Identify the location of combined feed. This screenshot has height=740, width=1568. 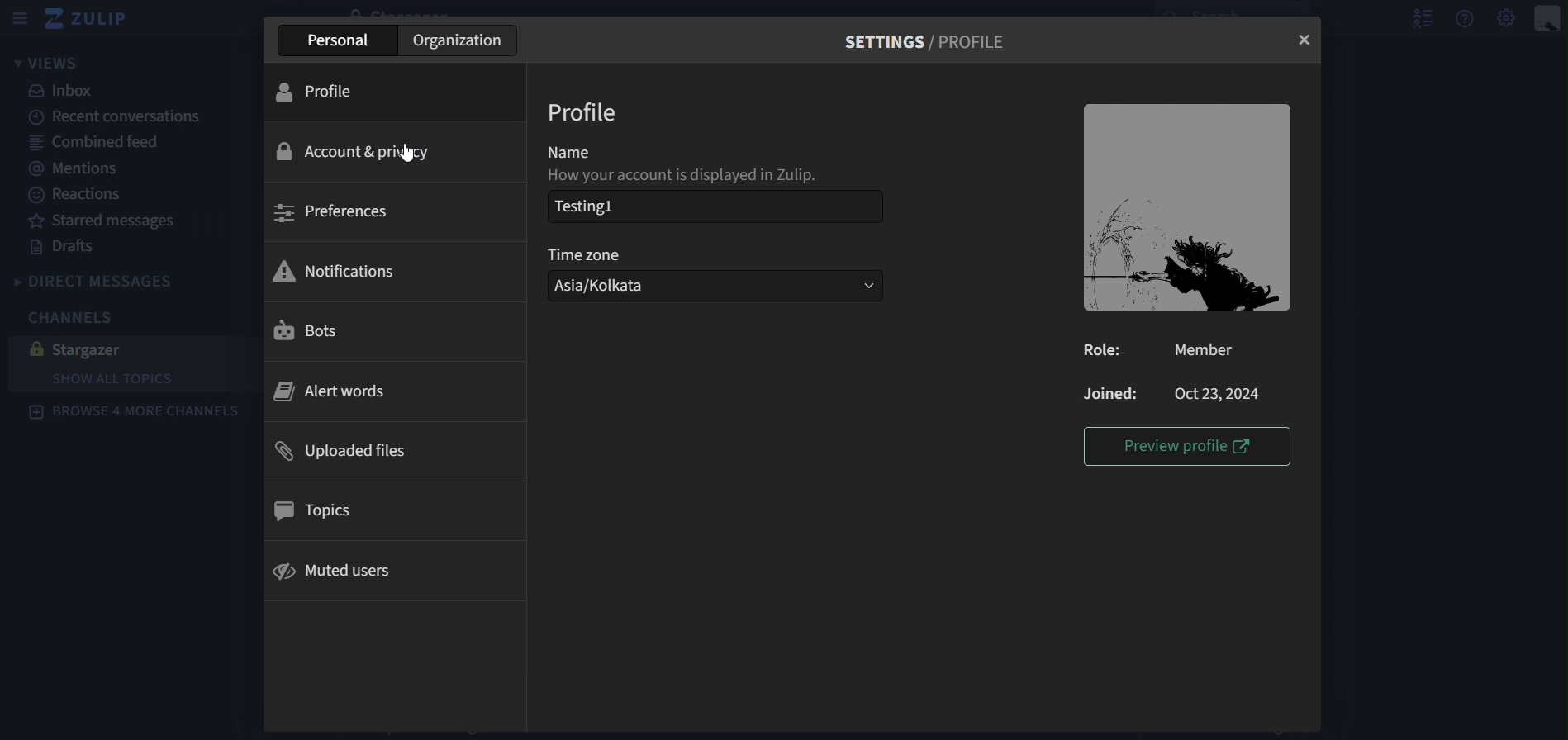
(109, 145).